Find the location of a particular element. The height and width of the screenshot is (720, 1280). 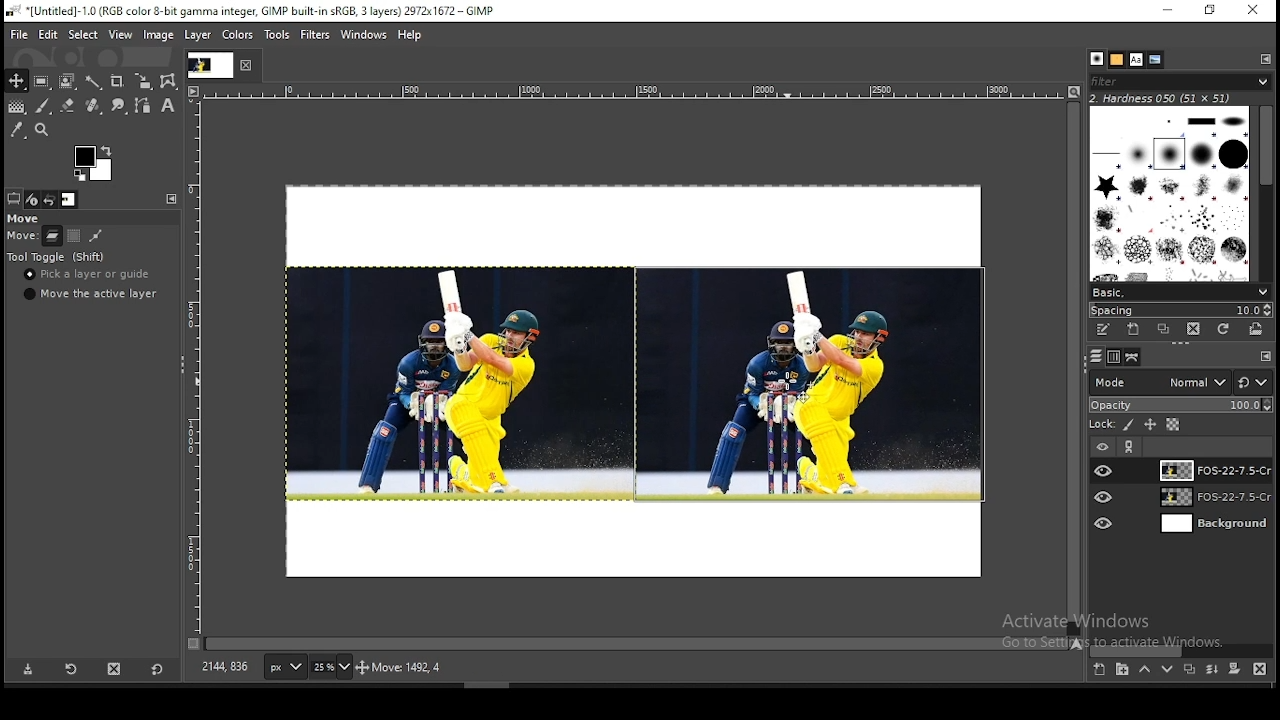

view is located at coordinates (119, 34).